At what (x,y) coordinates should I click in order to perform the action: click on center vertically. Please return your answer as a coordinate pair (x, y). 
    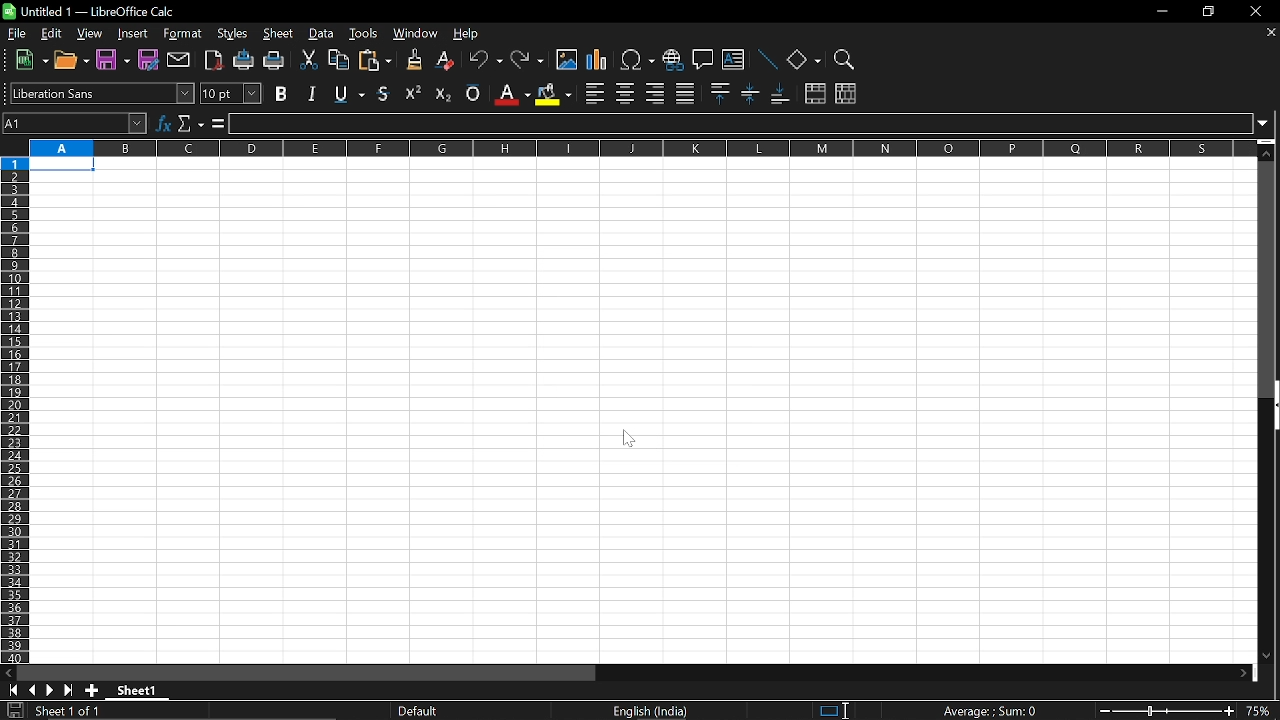
    Looking at the image, I should click on (750, 93).